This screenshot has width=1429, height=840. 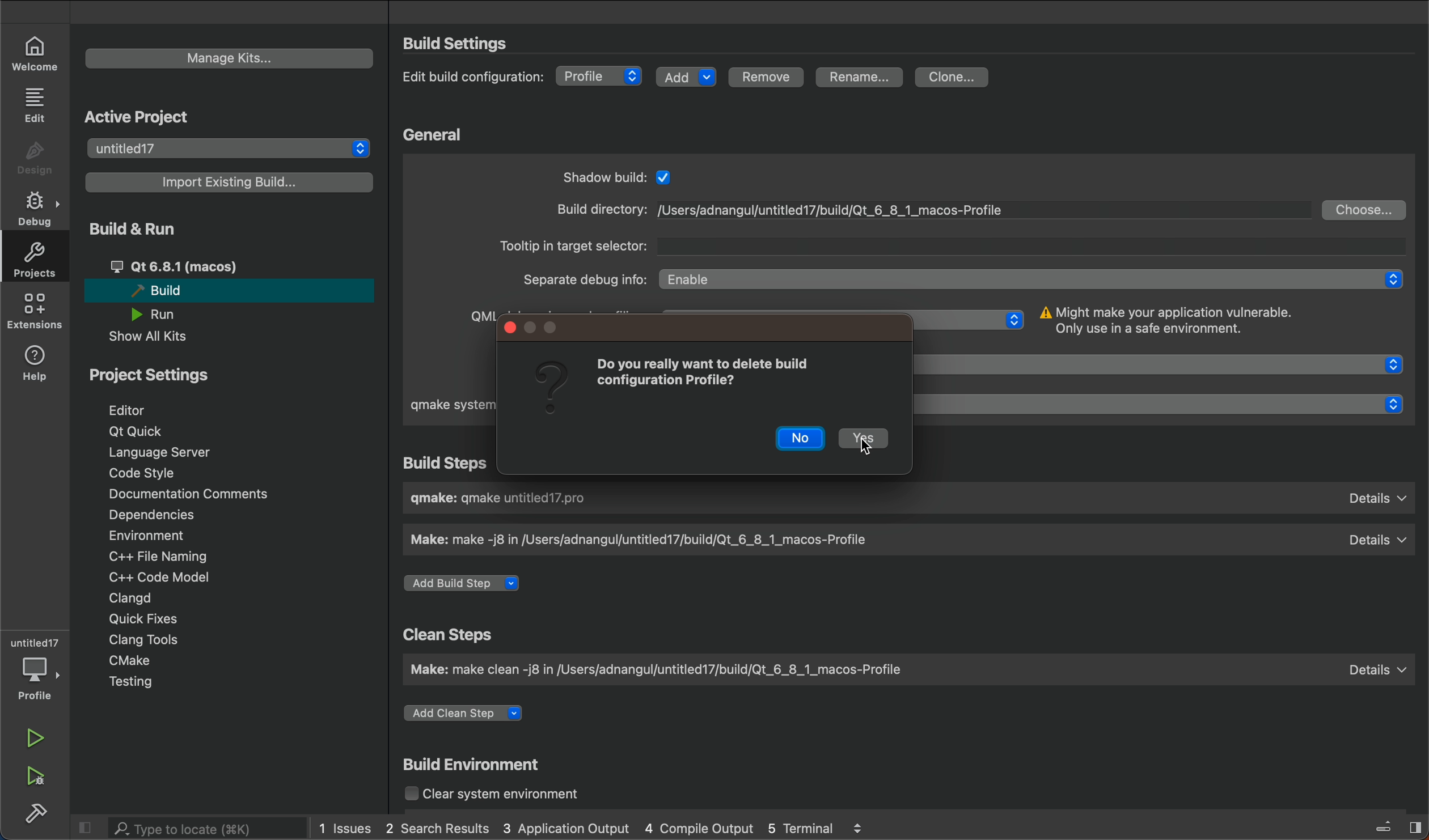 I want to click on c model, so click(x=158, y=577).